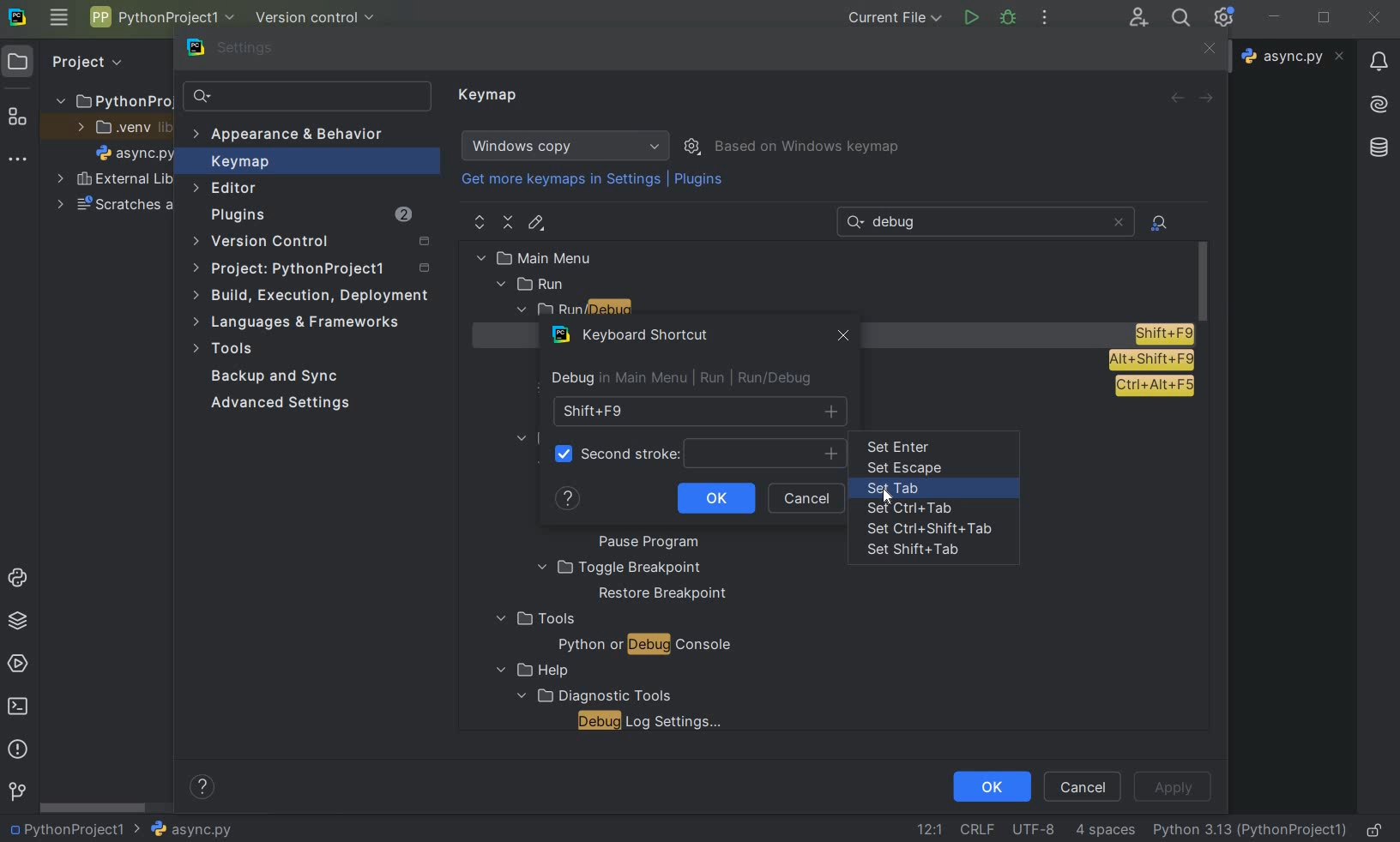  I want to click on edit shortcut, so click(535, 223).